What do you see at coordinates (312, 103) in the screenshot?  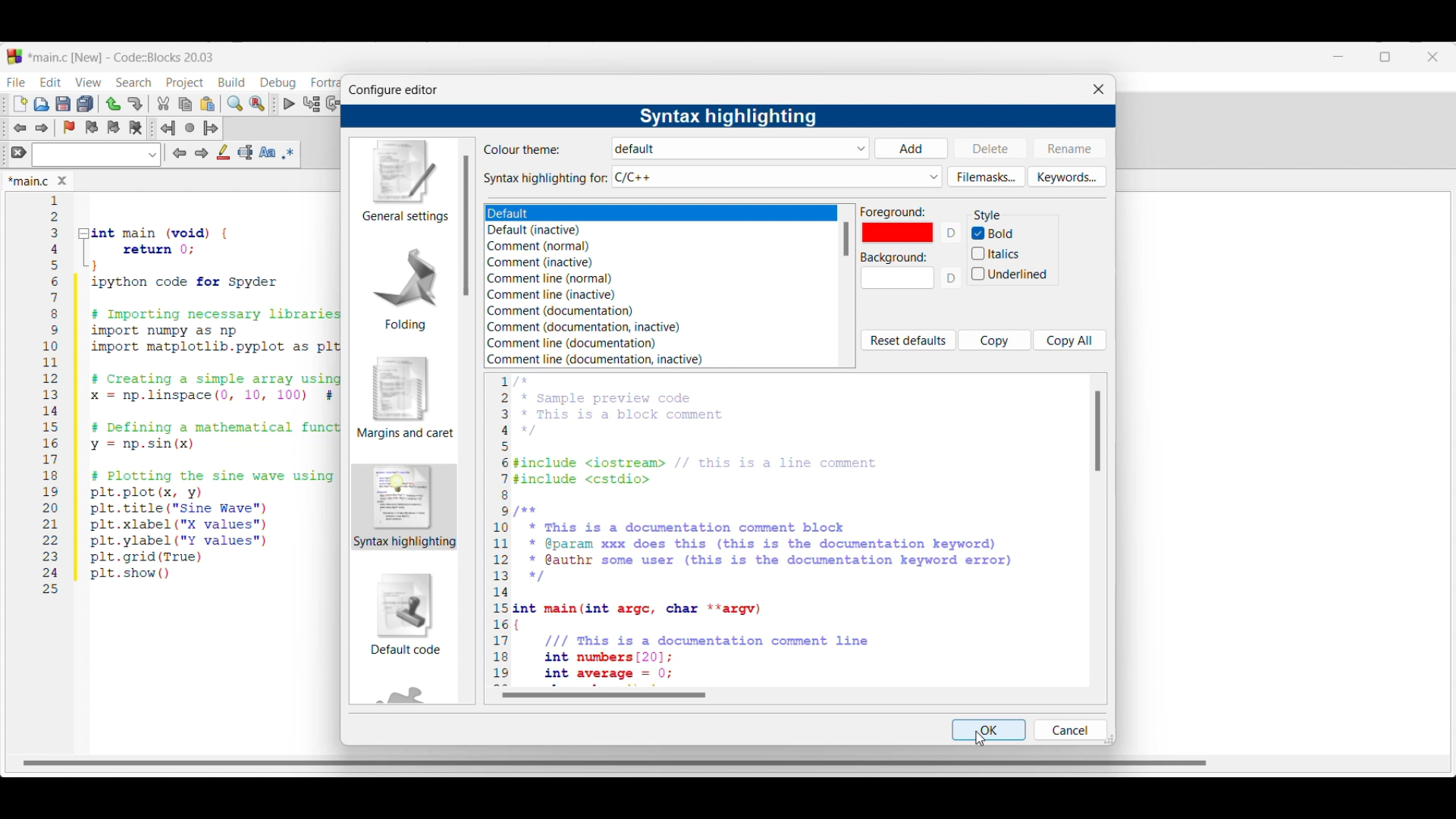 I see `Run to cursor` at bounding box center [312, 103].